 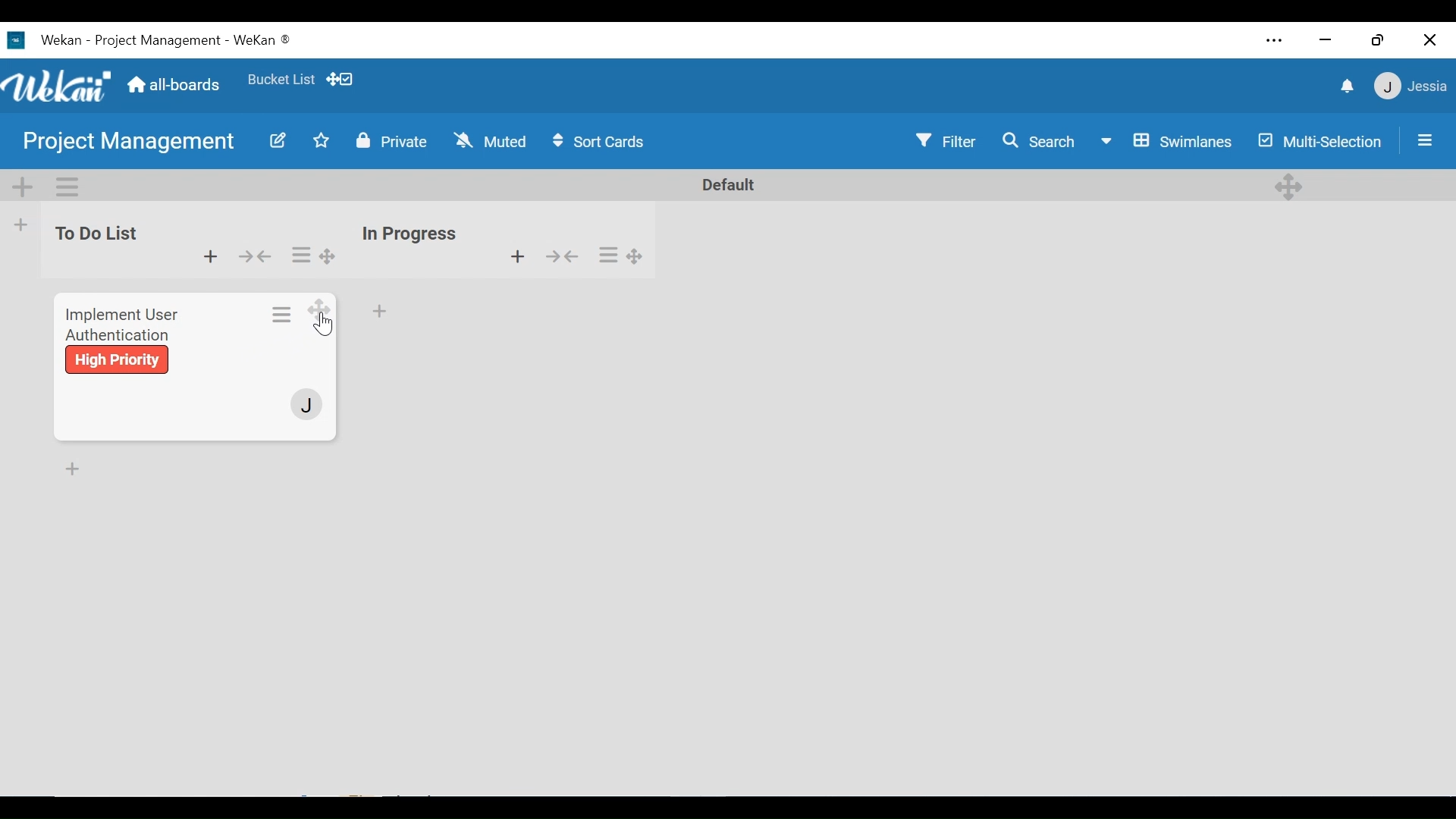 I want to click on Default, so click(x=725, y=186).